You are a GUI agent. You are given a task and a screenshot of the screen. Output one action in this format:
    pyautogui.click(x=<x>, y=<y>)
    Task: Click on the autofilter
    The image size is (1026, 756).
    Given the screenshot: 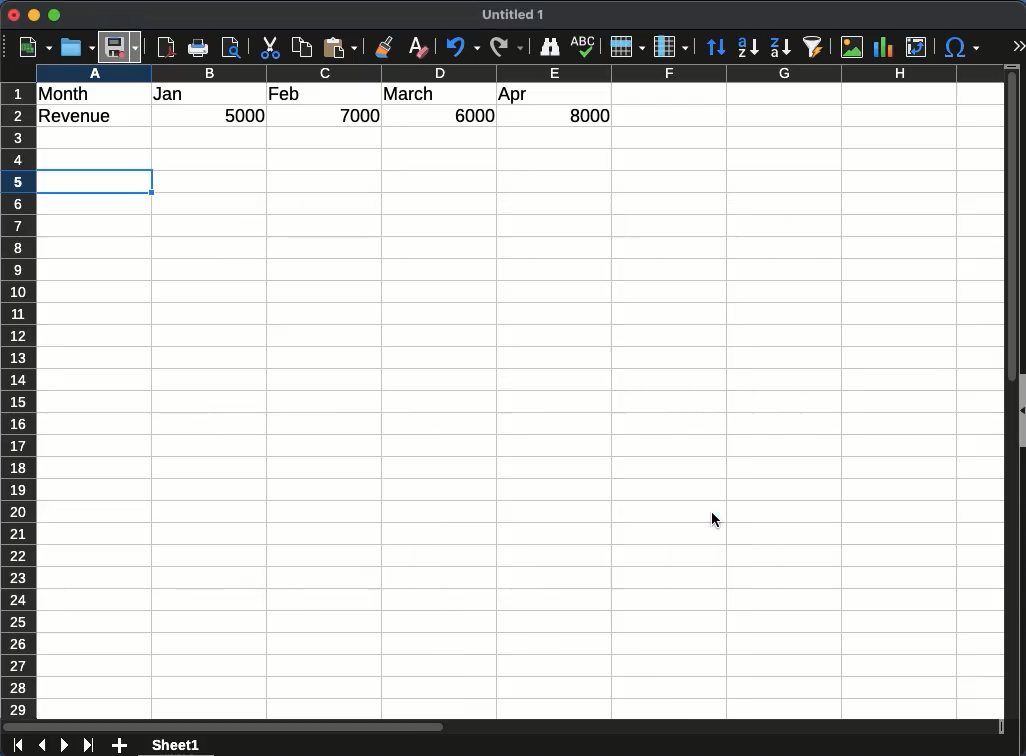 What is the action you would take?
    pyautogui.click(x=813, y=47)
    